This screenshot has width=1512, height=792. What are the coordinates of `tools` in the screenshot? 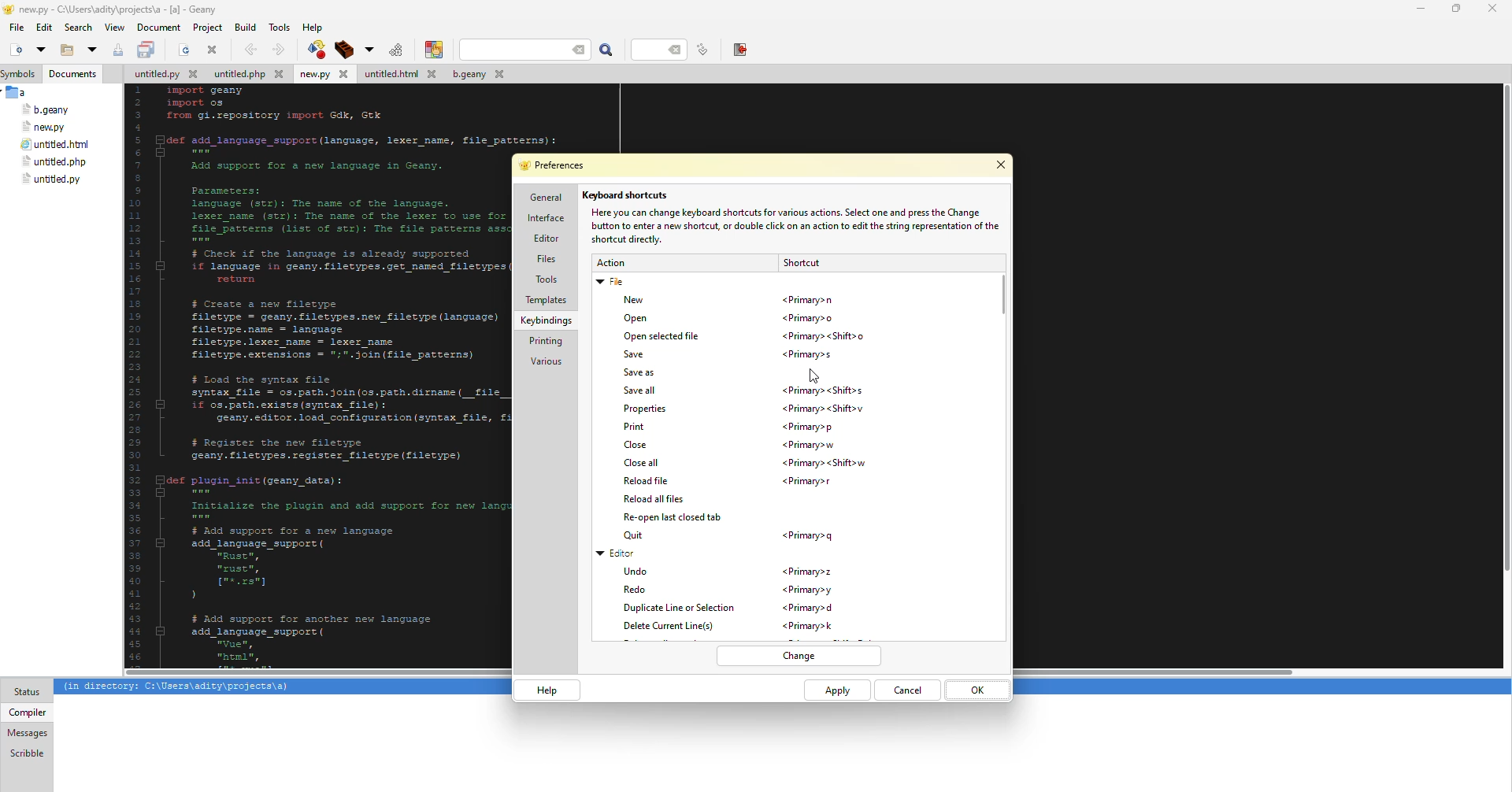 It's located at (282, 26).